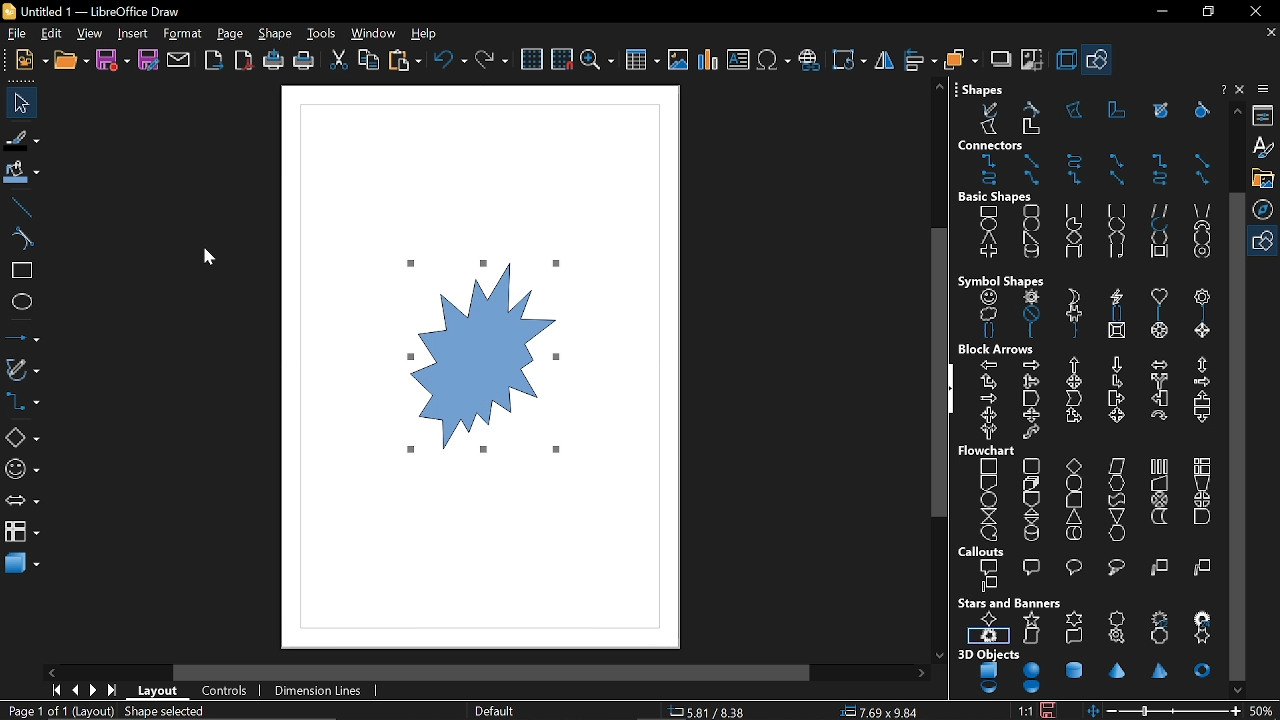 This screenshot has width=1280, height=720. What do you see at coordinates (738, 61) in the screenshot?
I see `Insert text` at bounding box center [738, 61].